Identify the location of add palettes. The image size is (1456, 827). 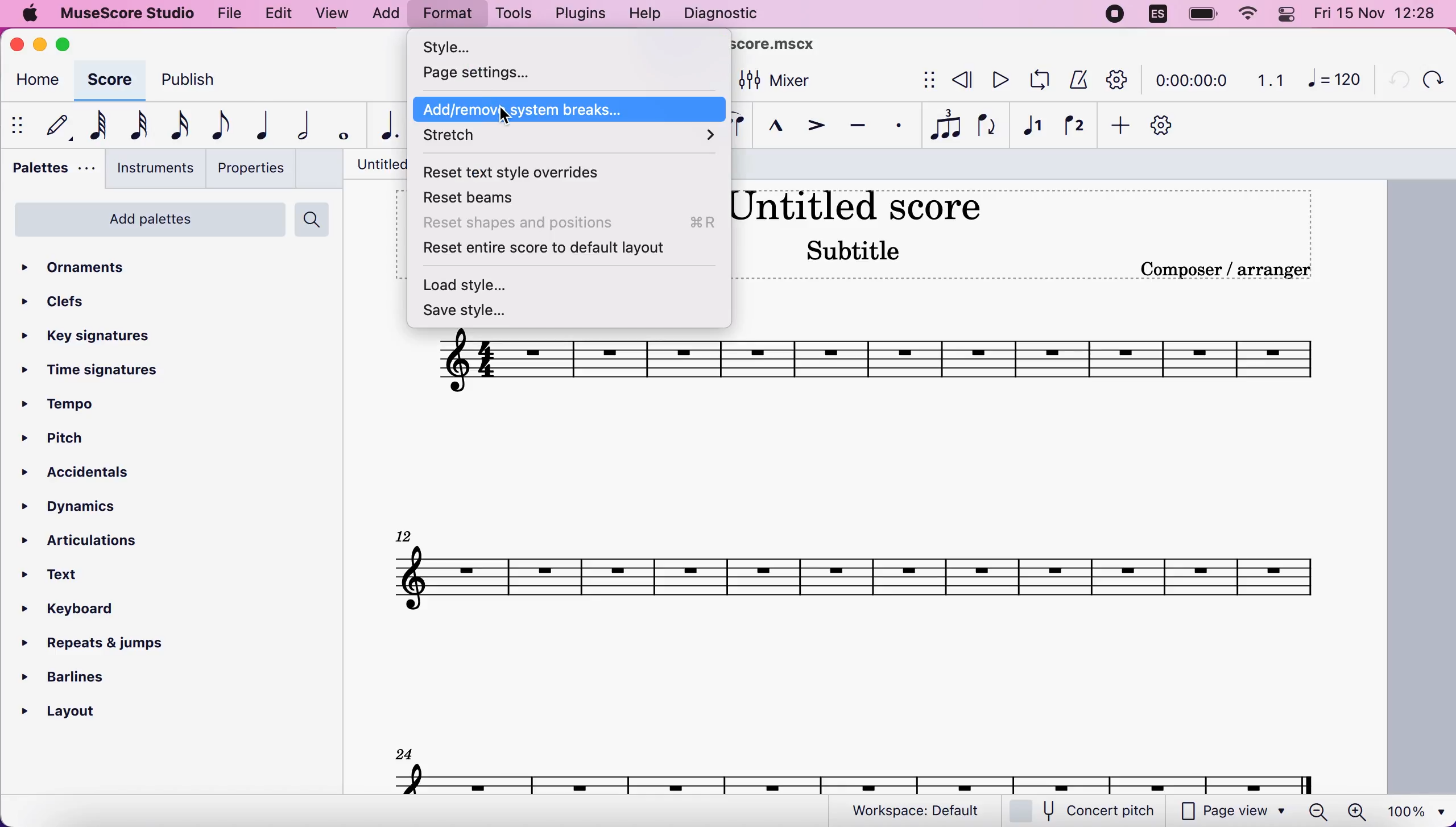
(147, 224).